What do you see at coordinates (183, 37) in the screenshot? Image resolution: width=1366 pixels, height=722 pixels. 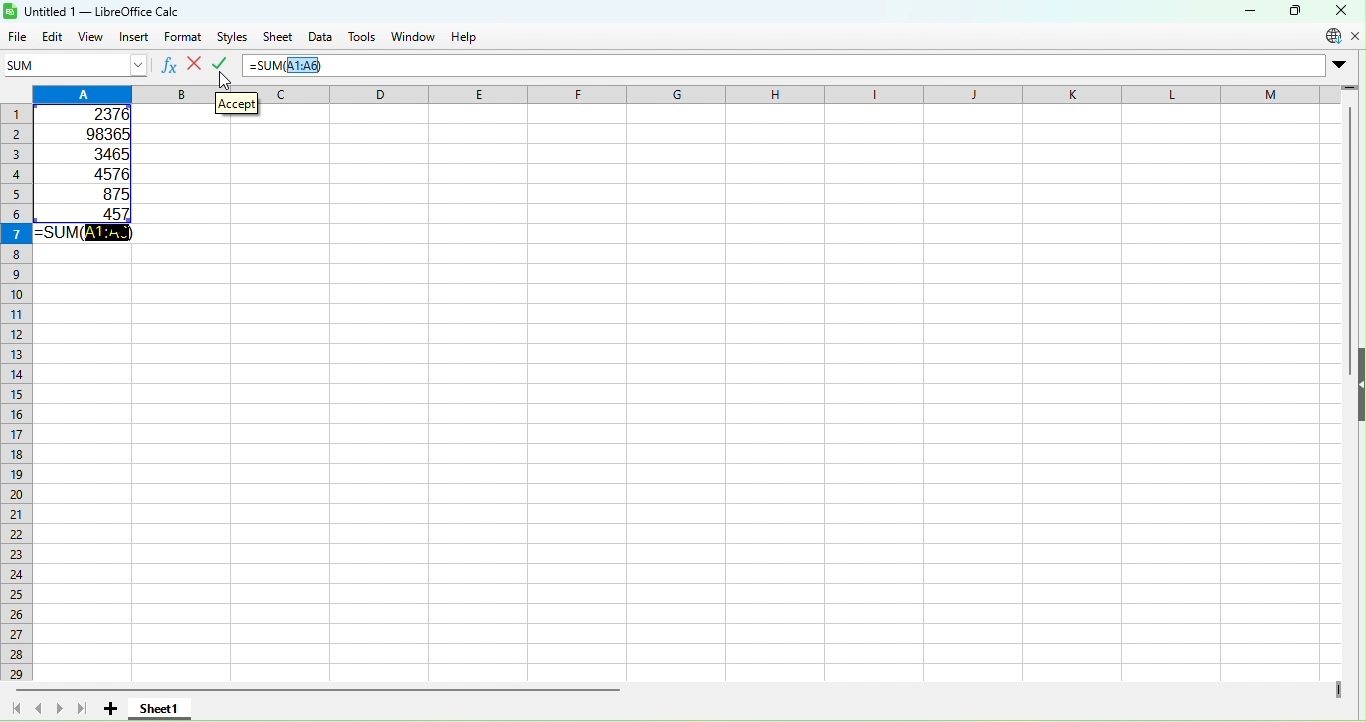 I see `Format` at bounding box center [183, 37].